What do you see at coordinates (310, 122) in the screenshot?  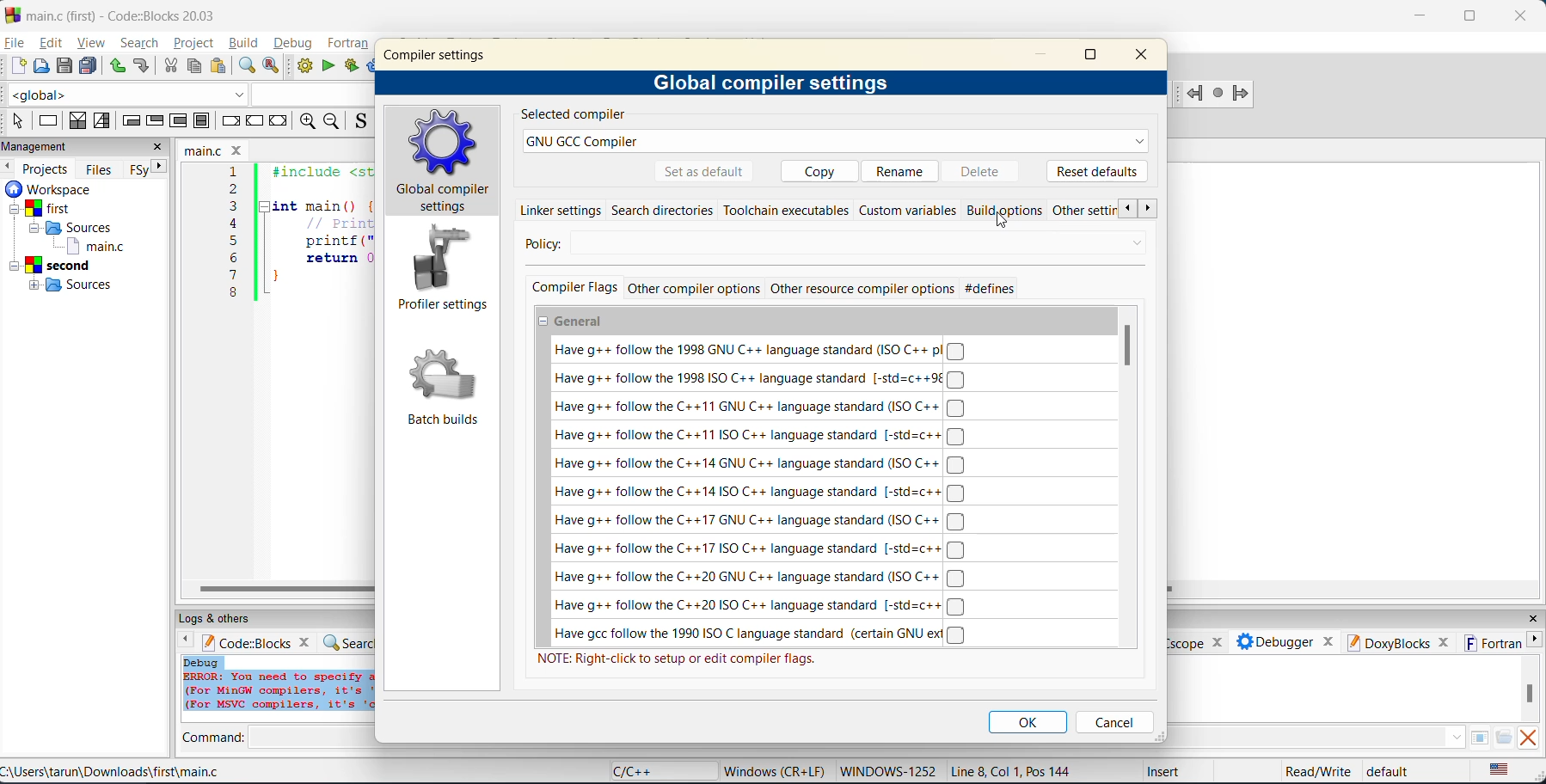 I see `zoom in` at bounding box center [310, 122].